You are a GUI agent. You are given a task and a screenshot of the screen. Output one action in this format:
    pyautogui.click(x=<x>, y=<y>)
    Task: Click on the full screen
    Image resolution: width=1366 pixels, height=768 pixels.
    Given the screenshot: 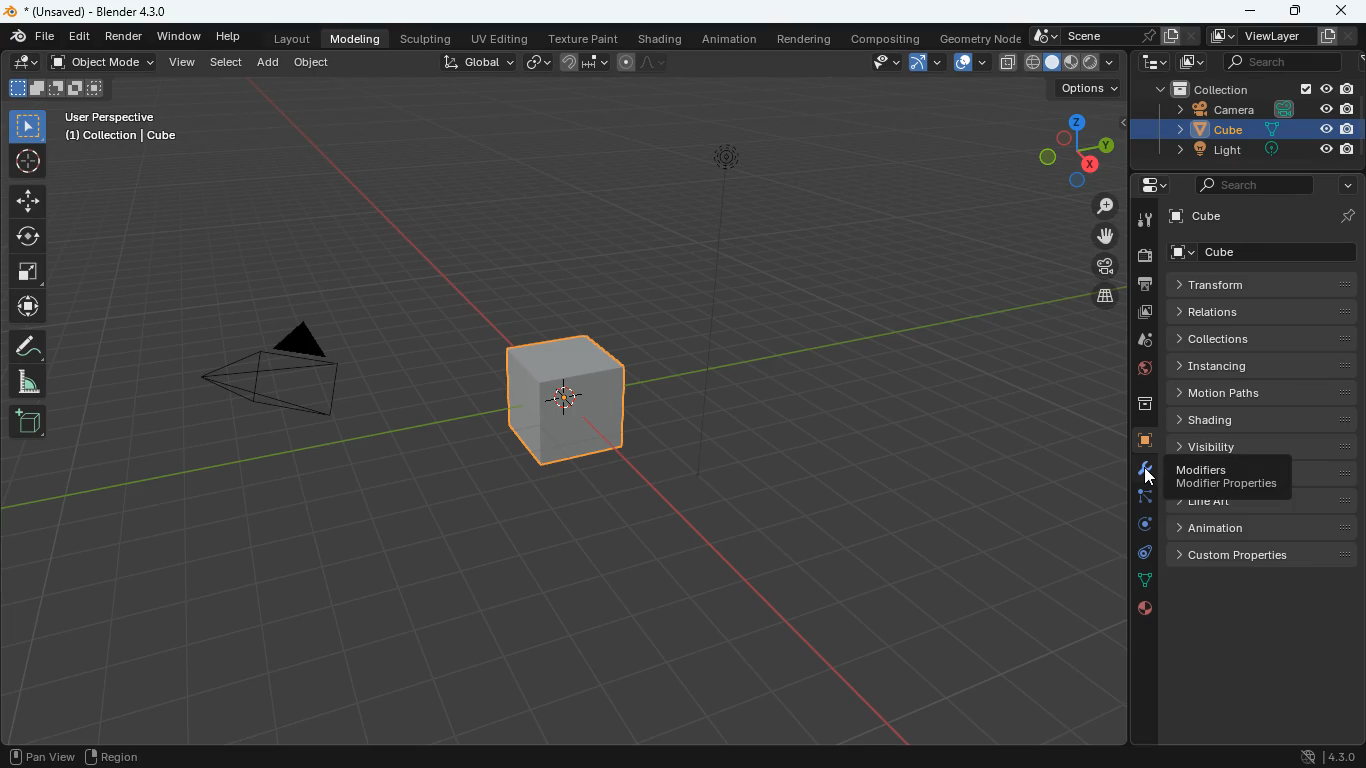 What is the action you would take?
    pyautogui.click(x=28, y=274)
    